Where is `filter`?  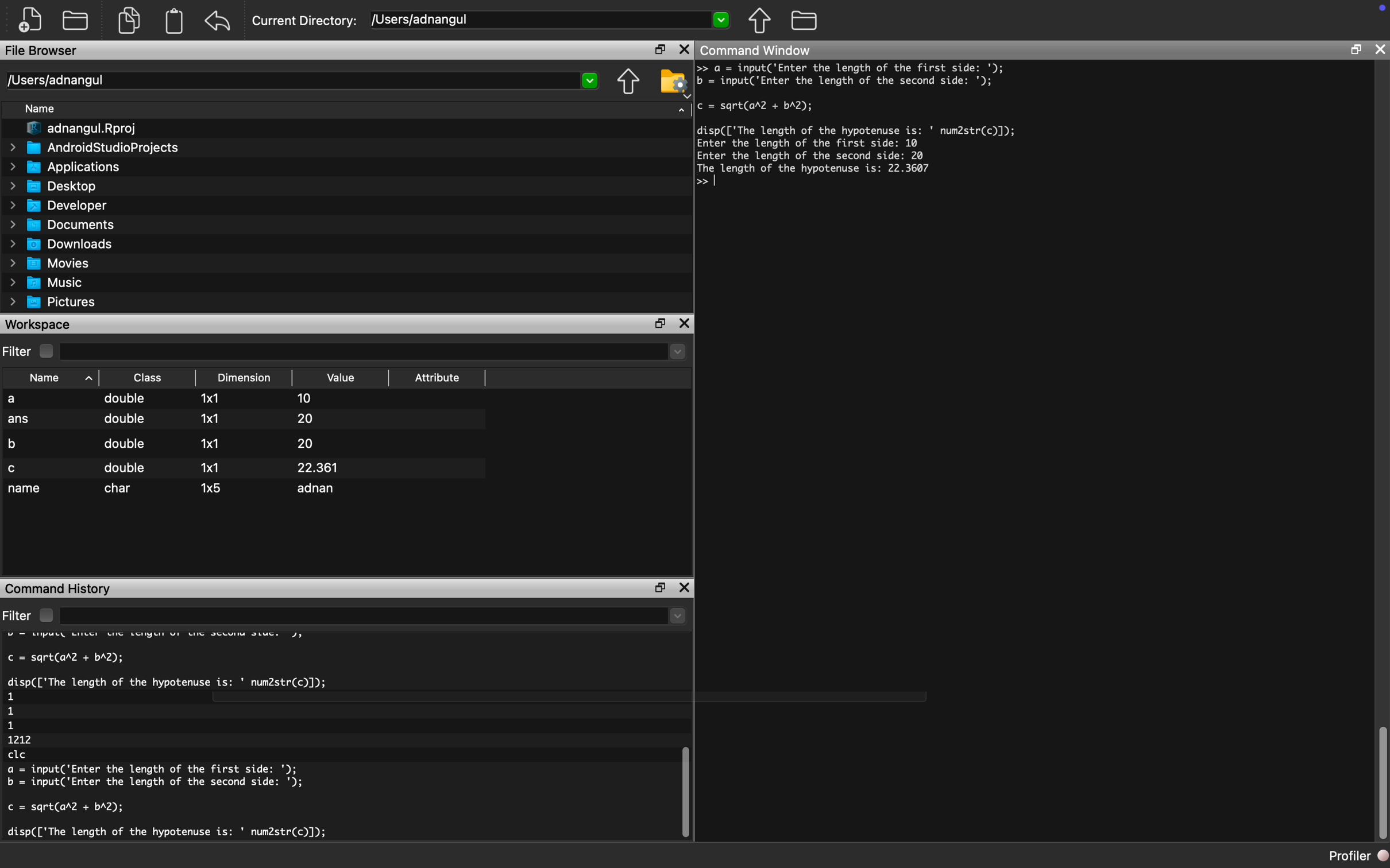 filter is located at coordinates (17, 615).